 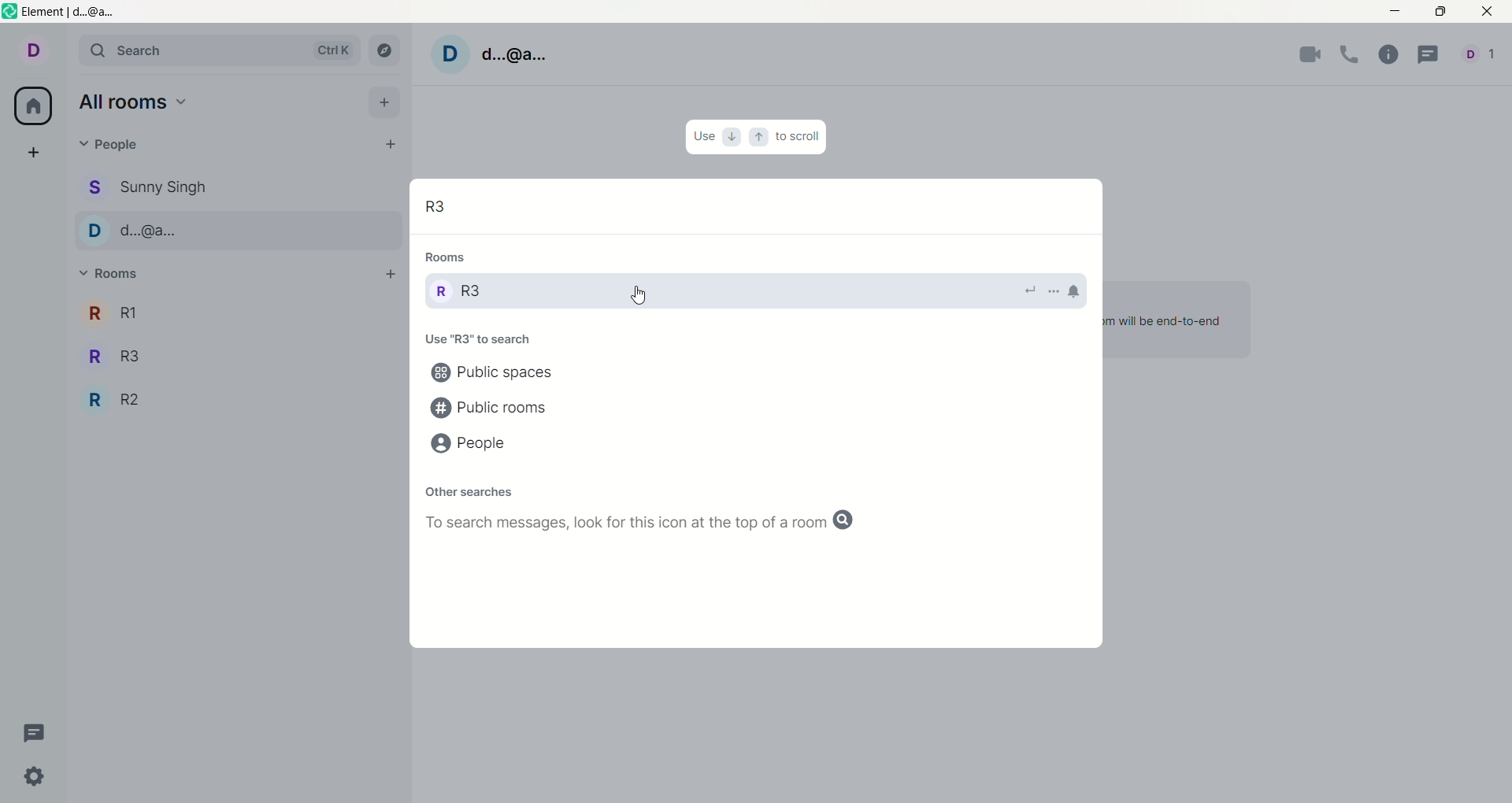 What do you see at coordinates (502, 374) in the screenshot?
I see `public spaces` at bounding box center [502, 374].